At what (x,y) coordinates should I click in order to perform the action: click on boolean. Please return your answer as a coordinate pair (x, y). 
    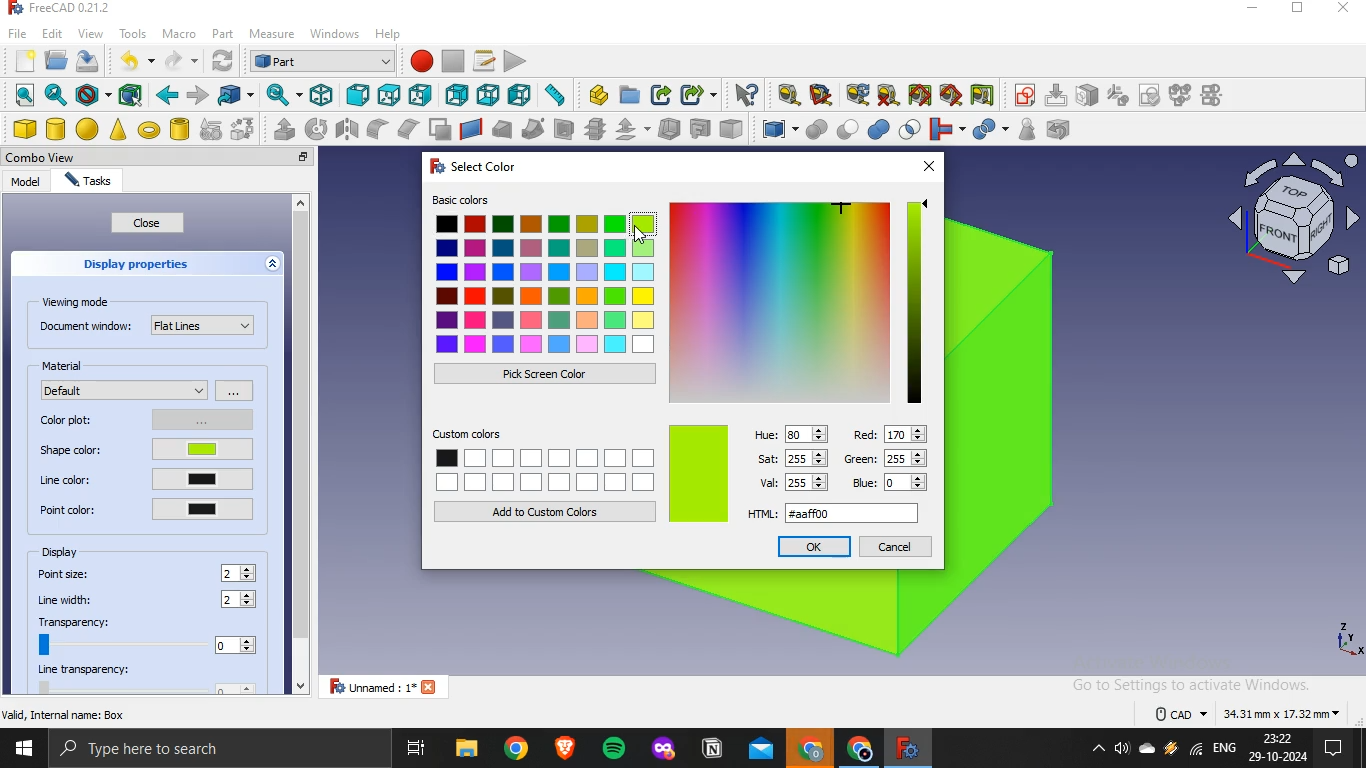
    Looking at the image, I should click on (816, 129).